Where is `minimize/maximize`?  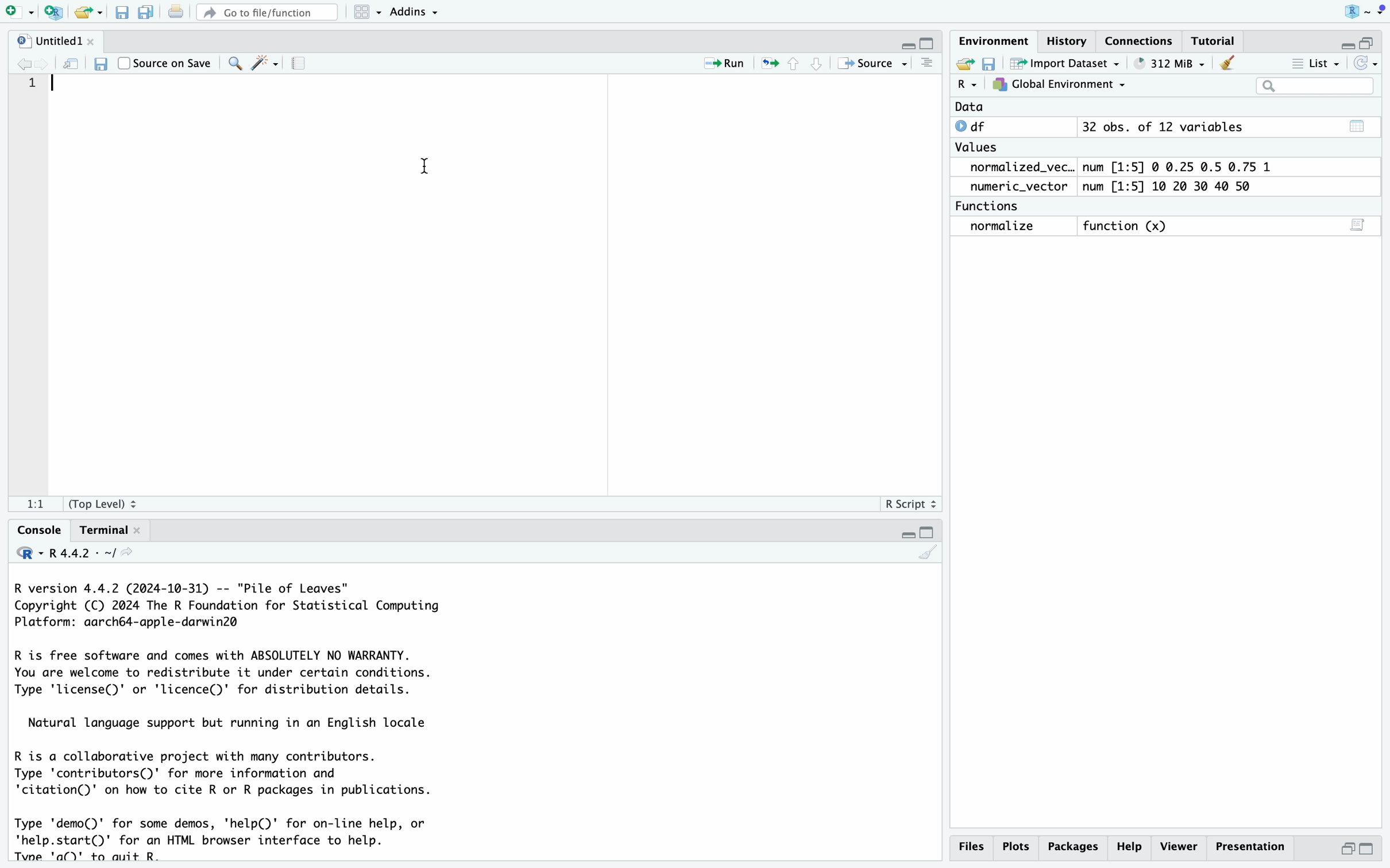
minimize/maximize is located at coordinates (1350, 41).